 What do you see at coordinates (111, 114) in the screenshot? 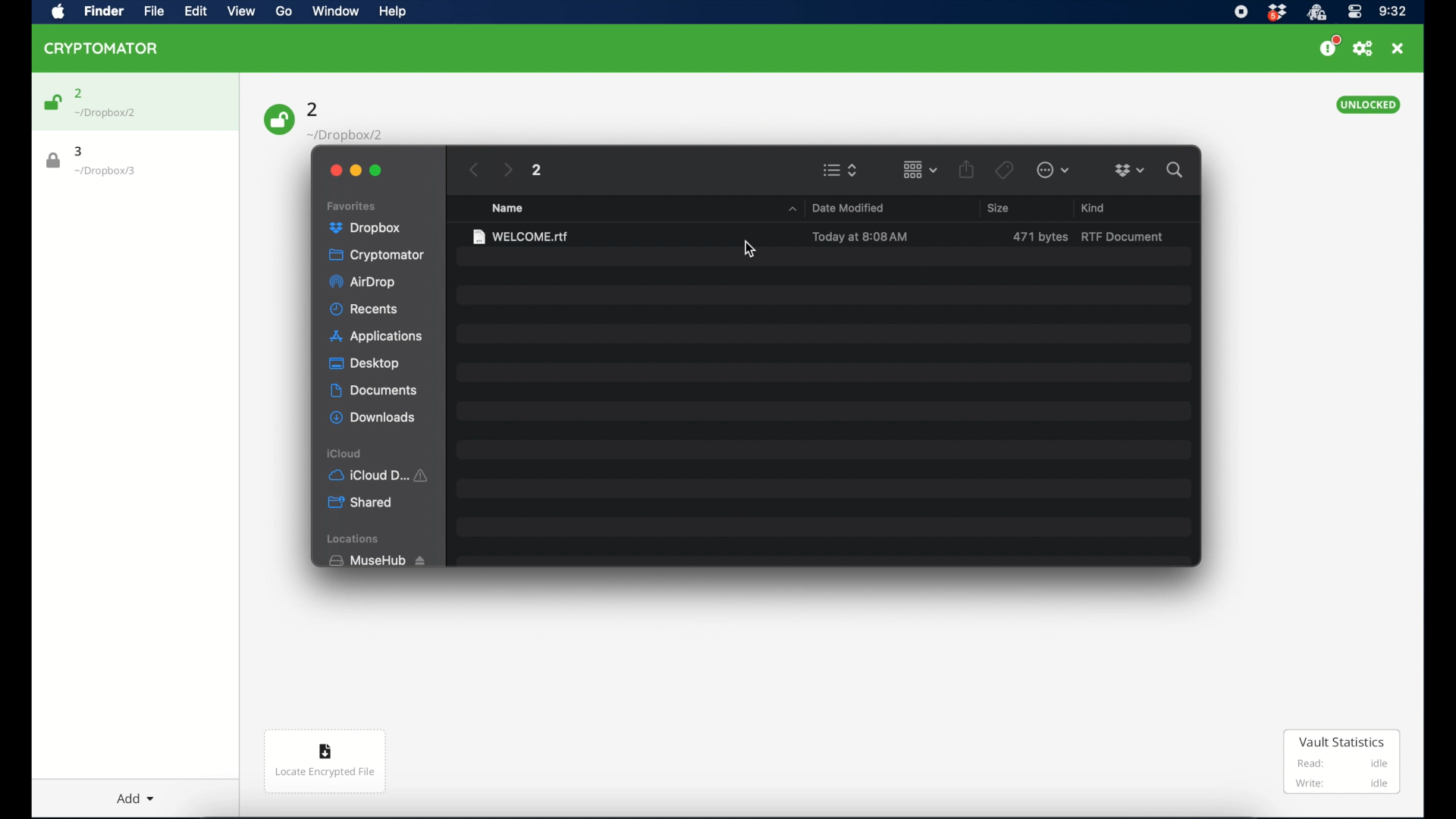
I see `vault location` at bounding box center [111, 114].